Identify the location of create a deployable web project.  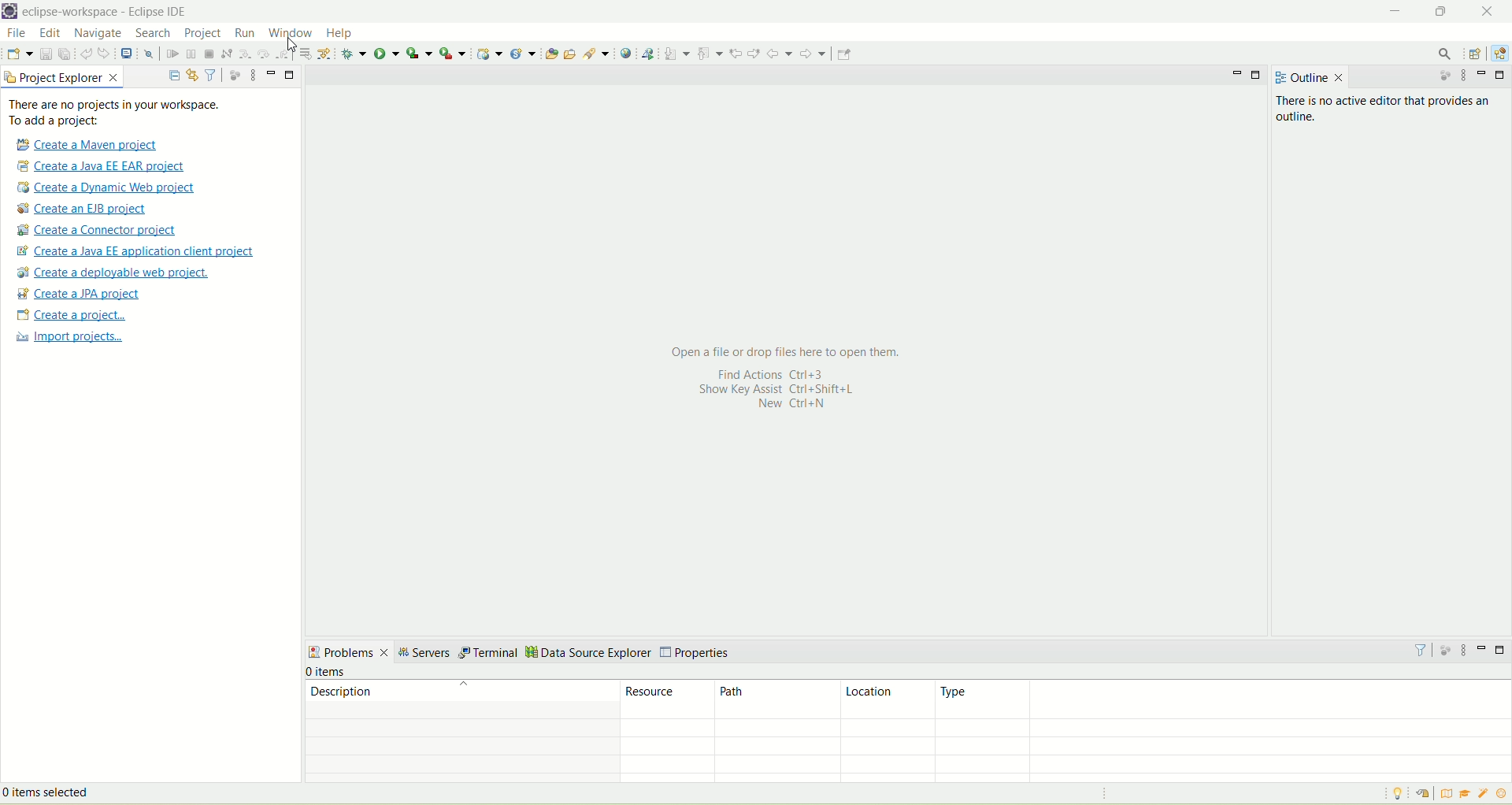
(111, 273).